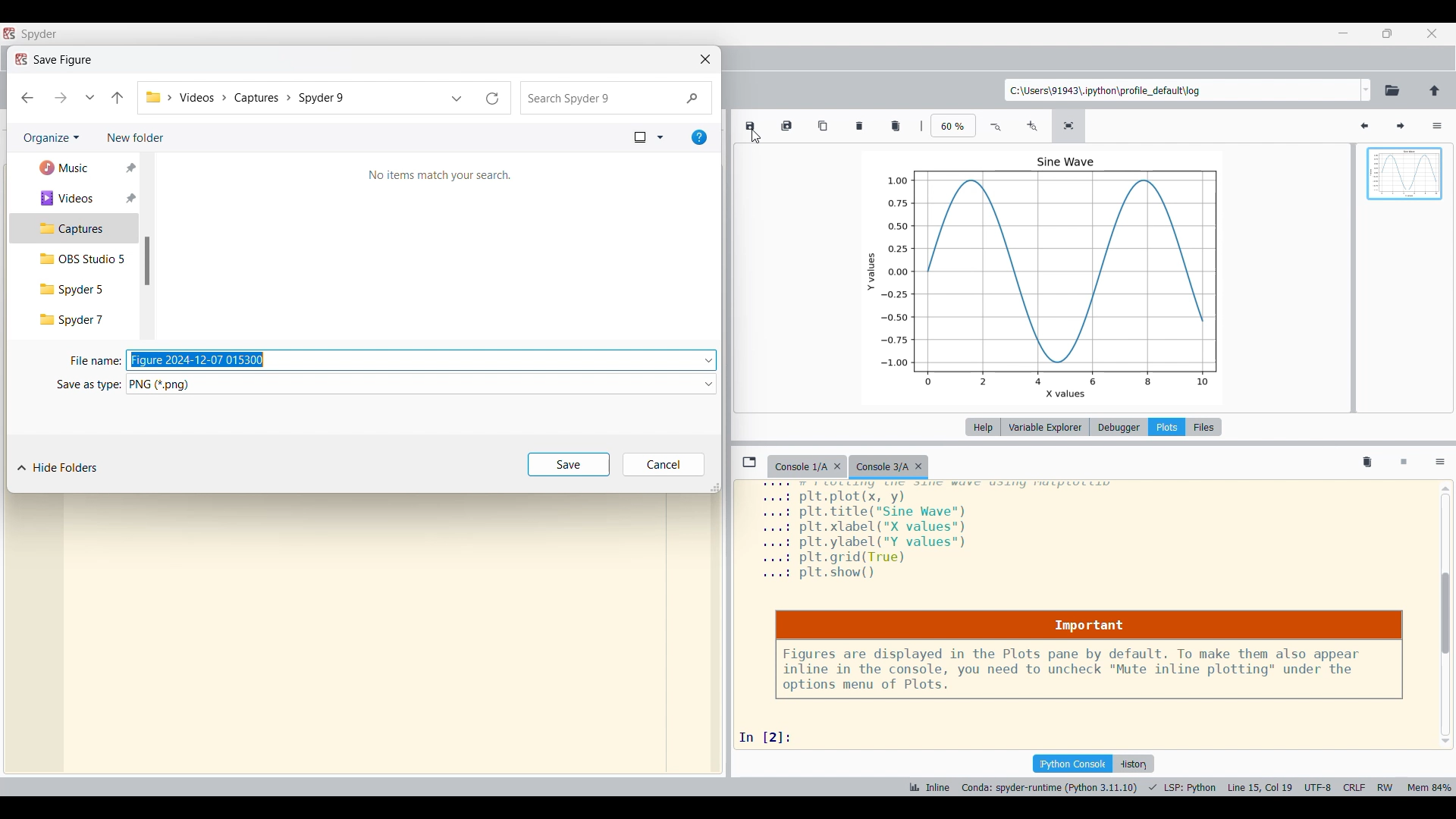 This screenshot has width=1456, height=819. Describe the element at coordinates (983, 427) in the screenshot. I see `Help` at that location.